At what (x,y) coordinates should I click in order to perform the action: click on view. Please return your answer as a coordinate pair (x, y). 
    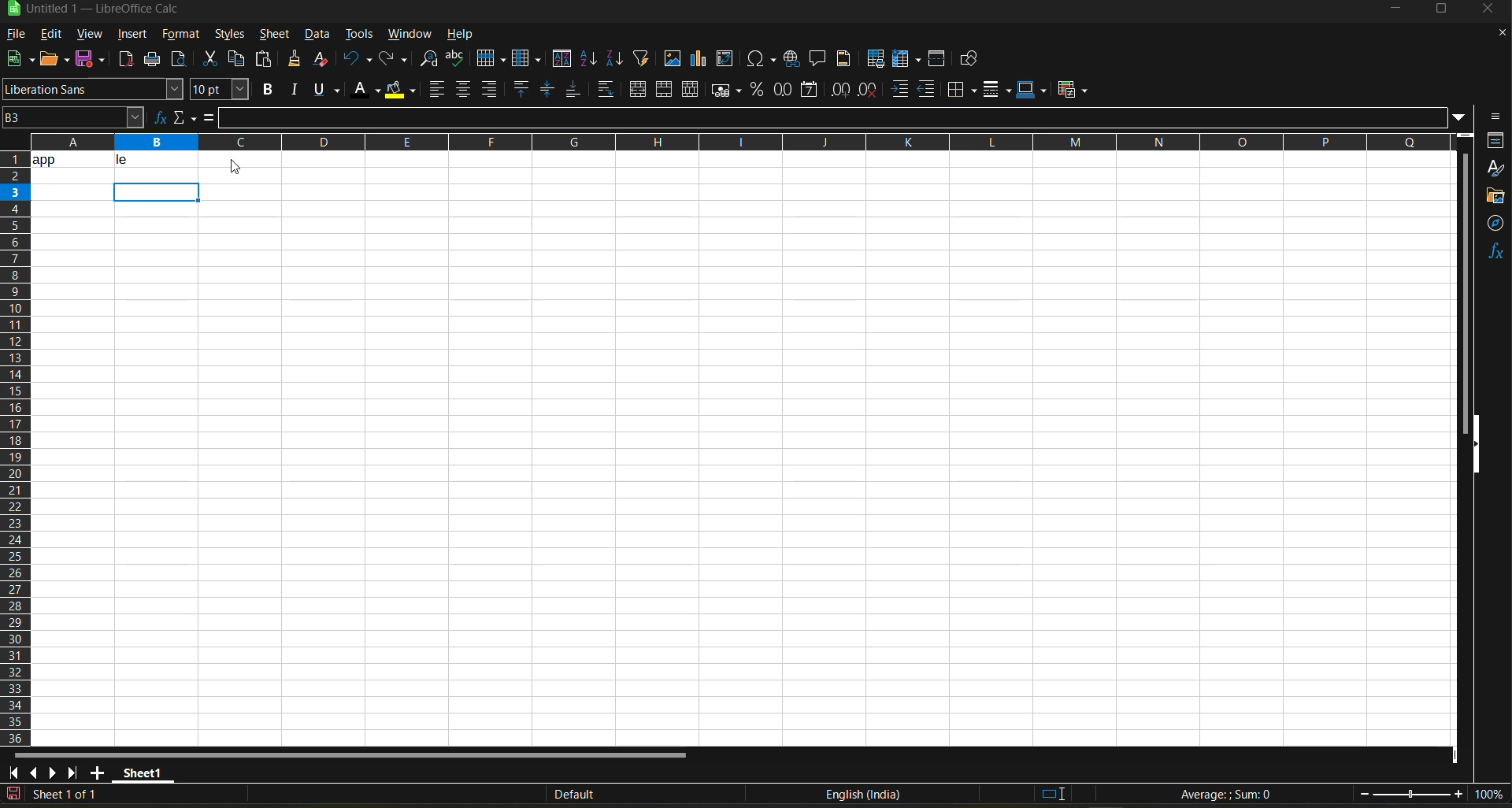
    Looking at the image, I should click on (89, 35).